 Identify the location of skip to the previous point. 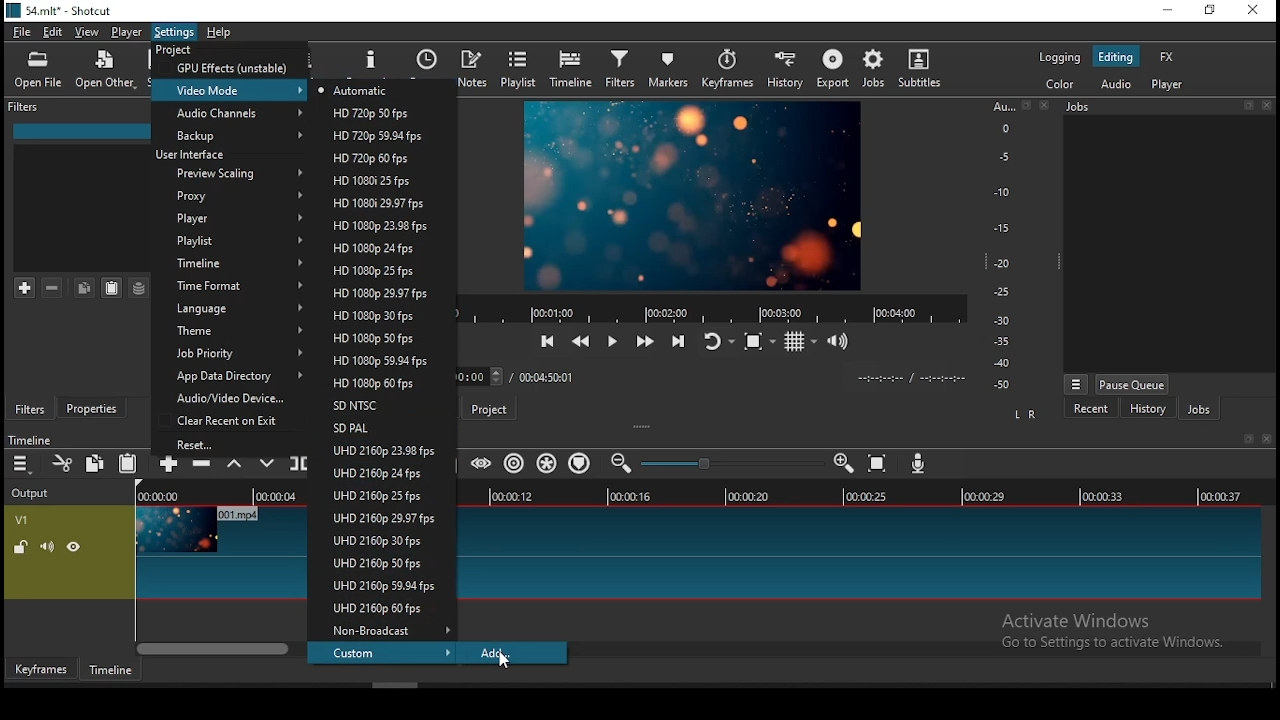
(546, 342).